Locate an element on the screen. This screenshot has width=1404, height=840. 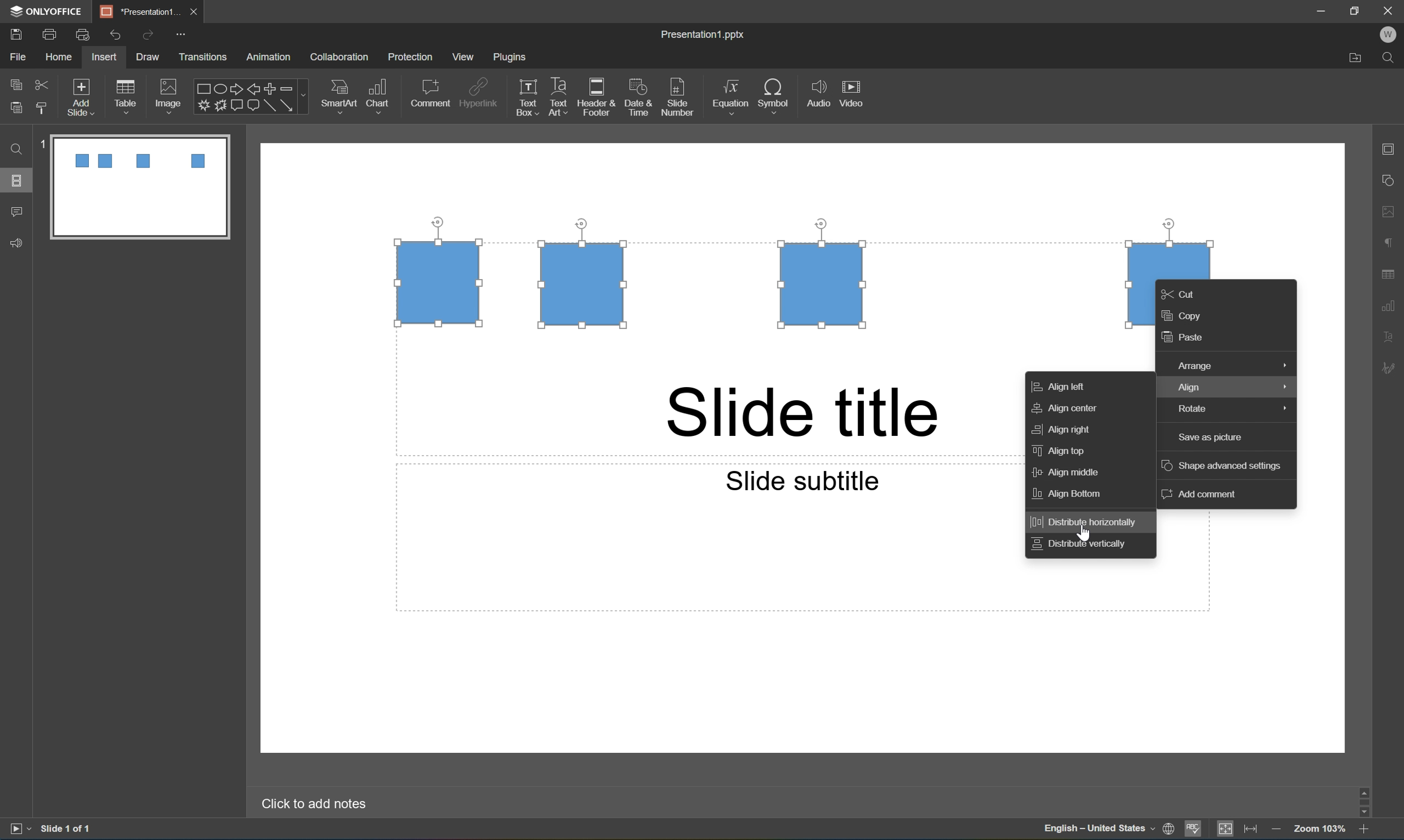
W is located at coordinates (1392, 35).